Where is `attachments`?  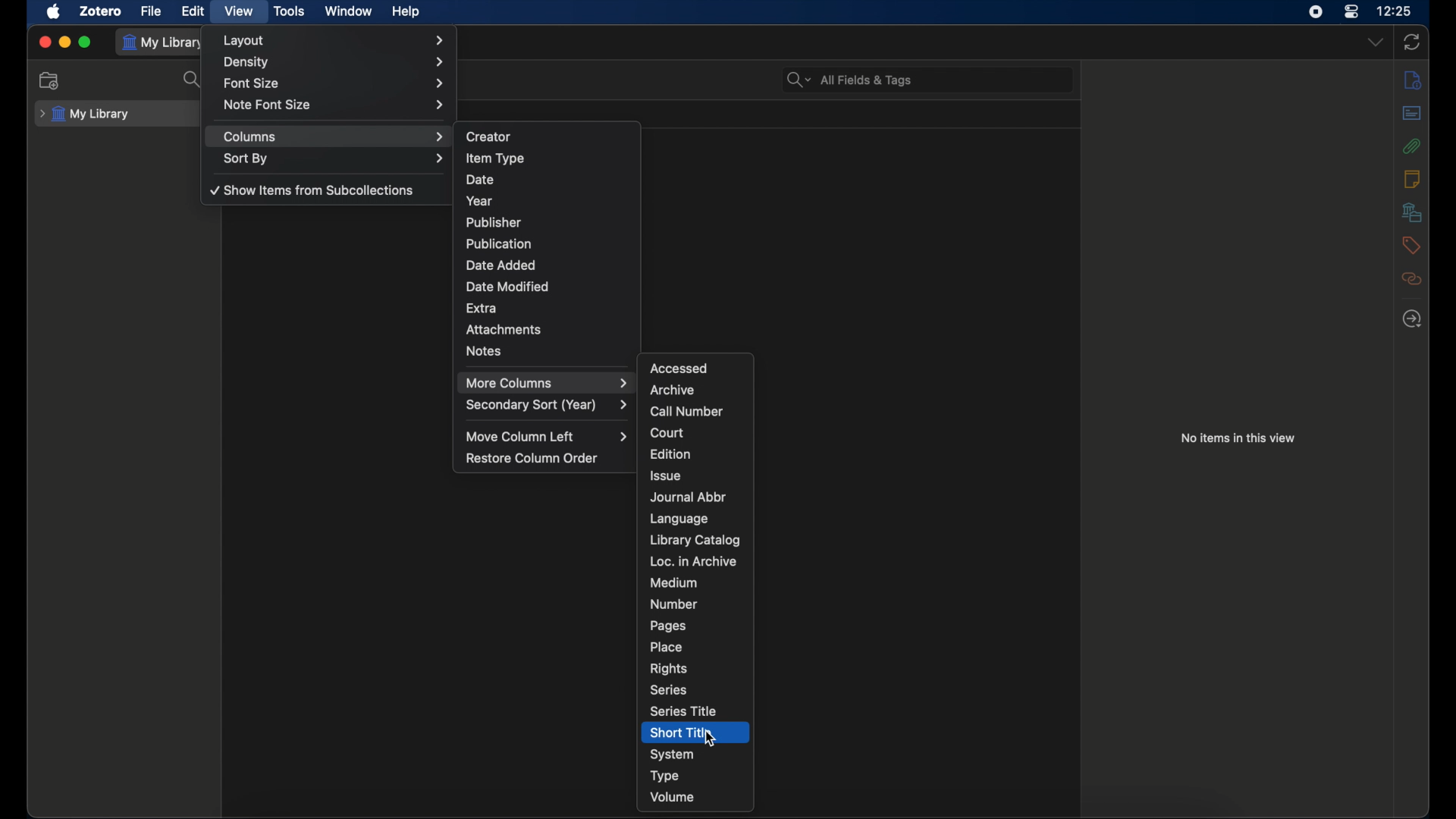
attachments is located at coordinates (504, 330).